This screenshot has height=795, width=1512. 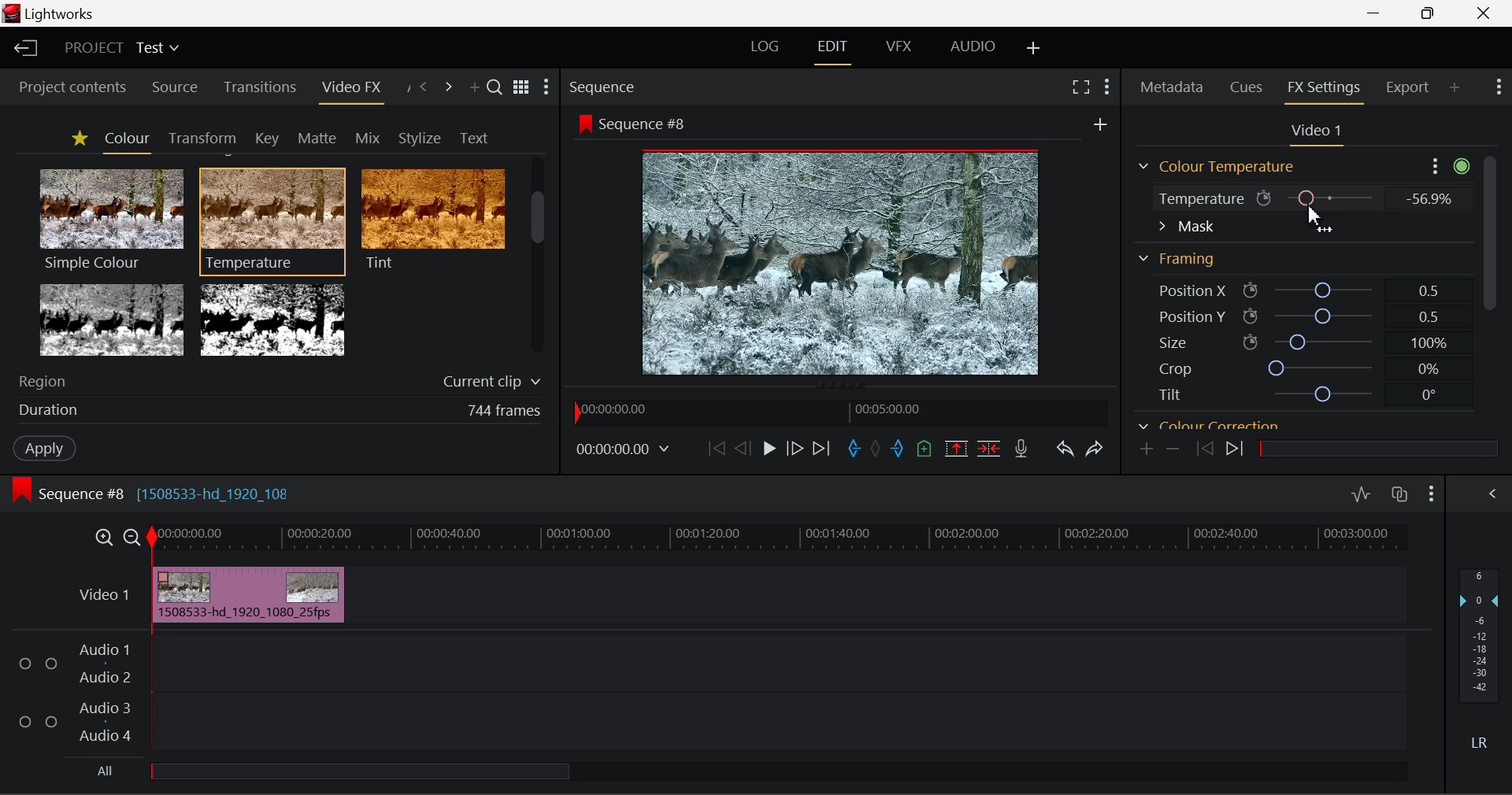 I want to click on Restore Down, so click(x=1374, y=12).